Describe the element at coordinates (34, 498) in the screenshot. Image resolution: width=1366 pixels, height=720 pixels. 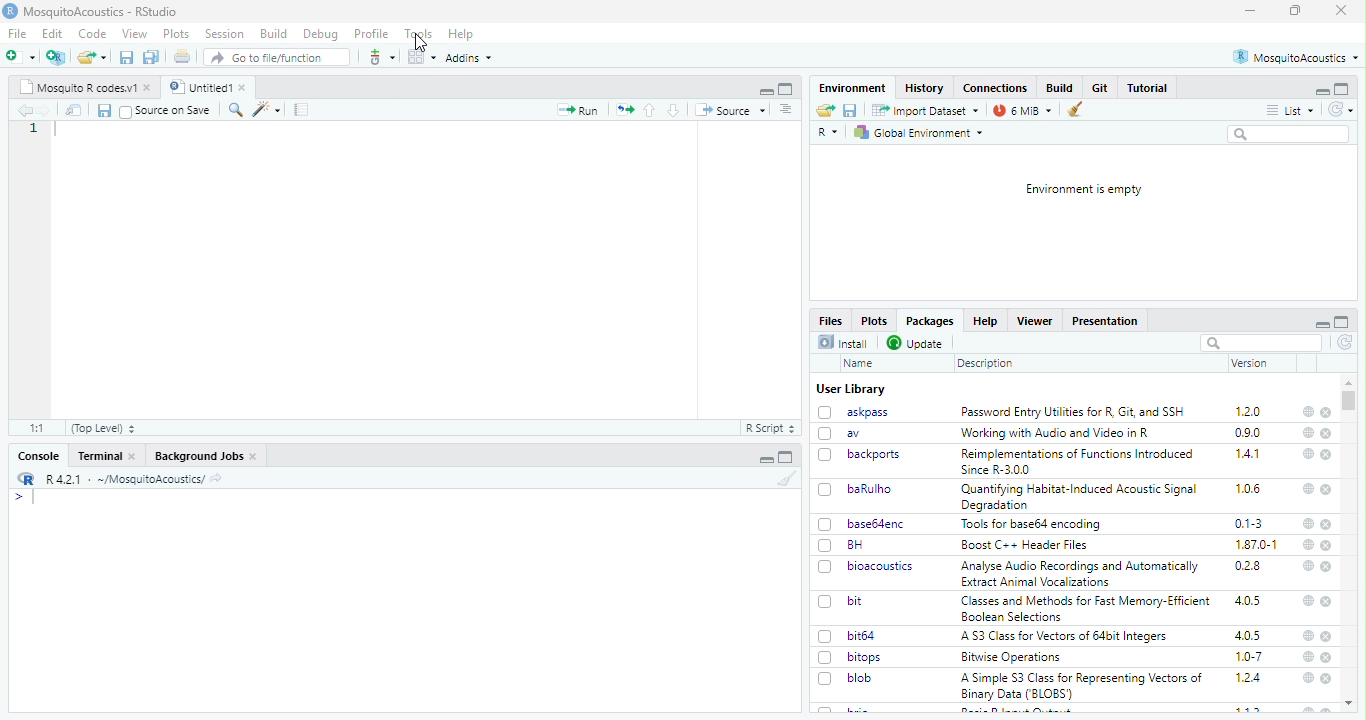
I see `typing indicator` at that location.